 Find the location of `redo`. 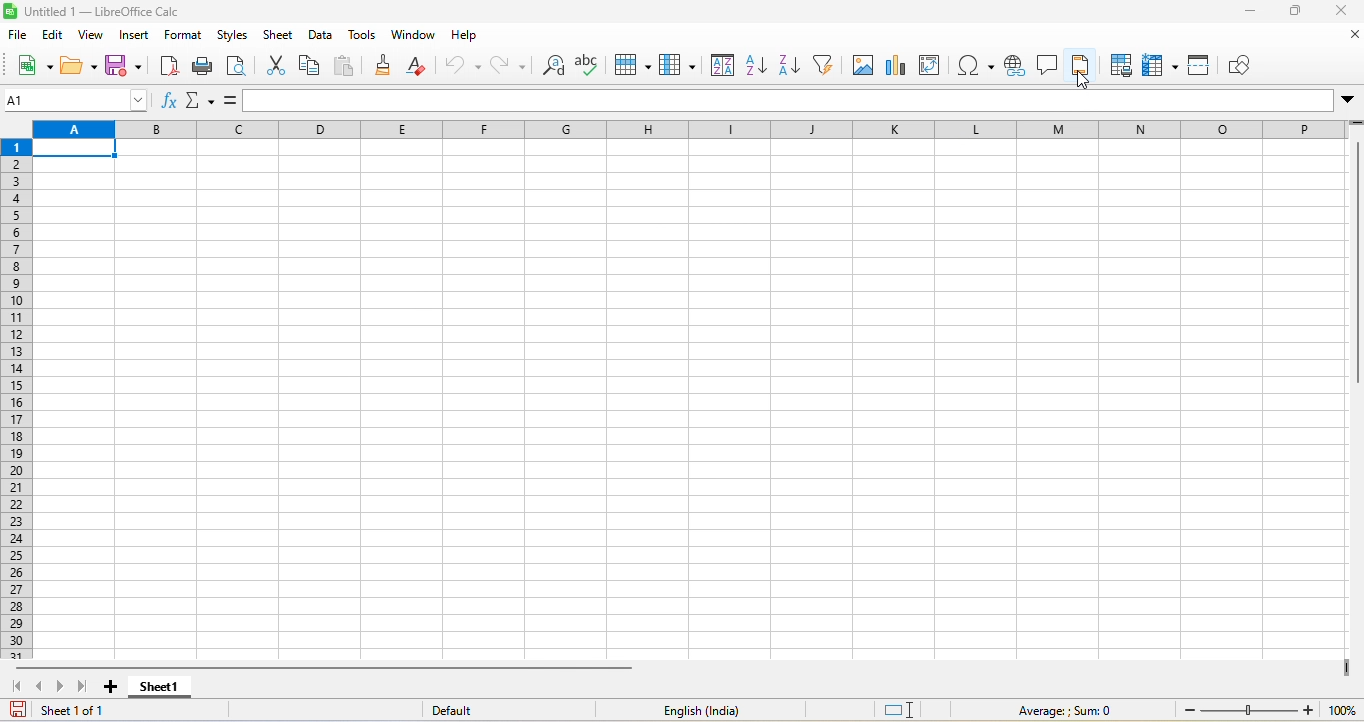

redo is located at coordinates (506, 67).